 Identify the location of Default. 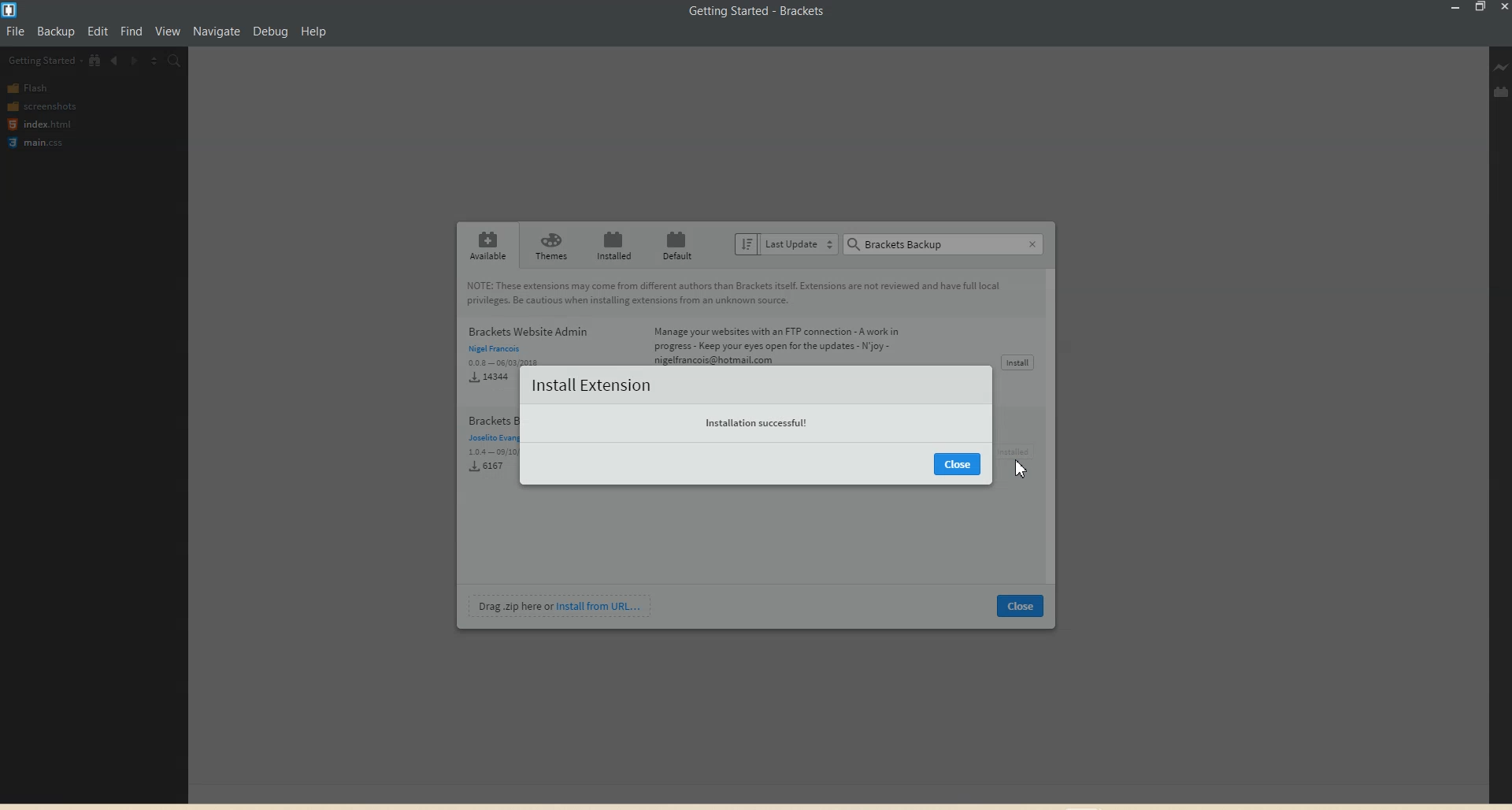
(676, 244).